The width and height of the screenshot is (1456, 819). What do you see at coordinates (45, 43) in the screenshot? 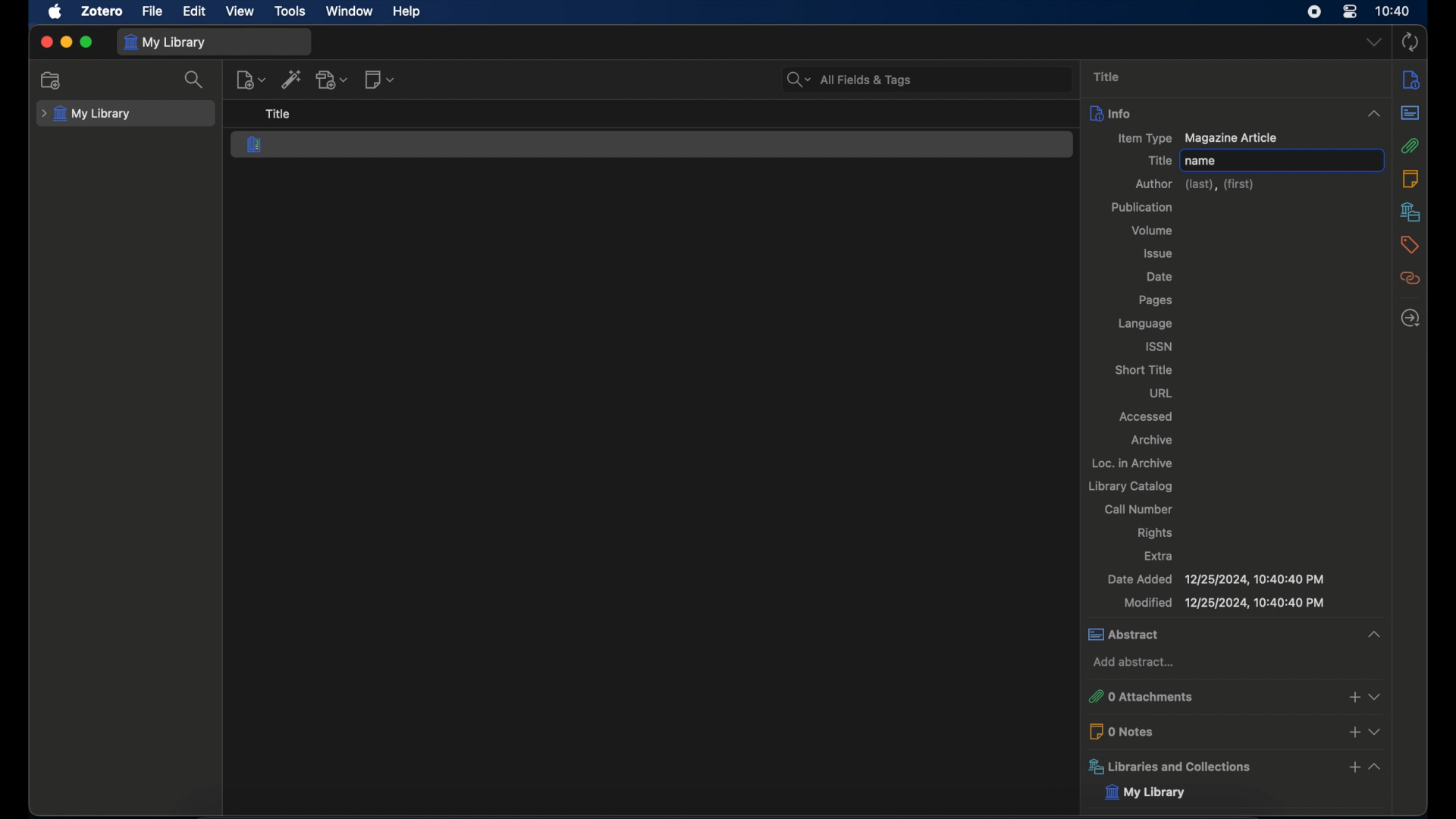
I see `close` at bounding box center [45, 43].